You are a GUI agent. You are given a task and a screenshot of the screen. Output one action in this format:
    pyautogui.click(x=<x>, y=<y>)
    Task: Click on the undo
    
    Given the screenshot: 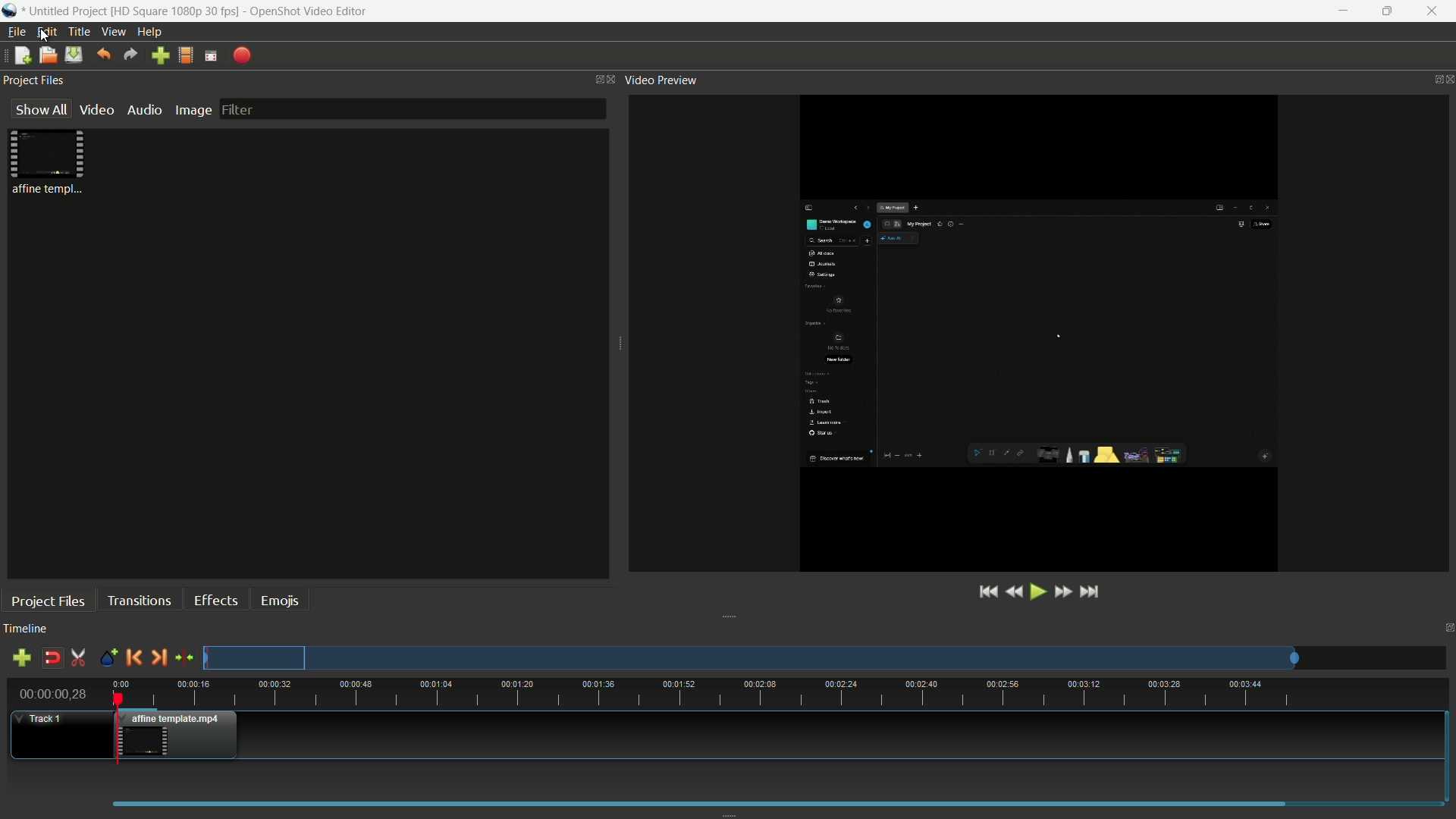 What is the action you would take?
    pyautogui.click(x=103, y=54)
    